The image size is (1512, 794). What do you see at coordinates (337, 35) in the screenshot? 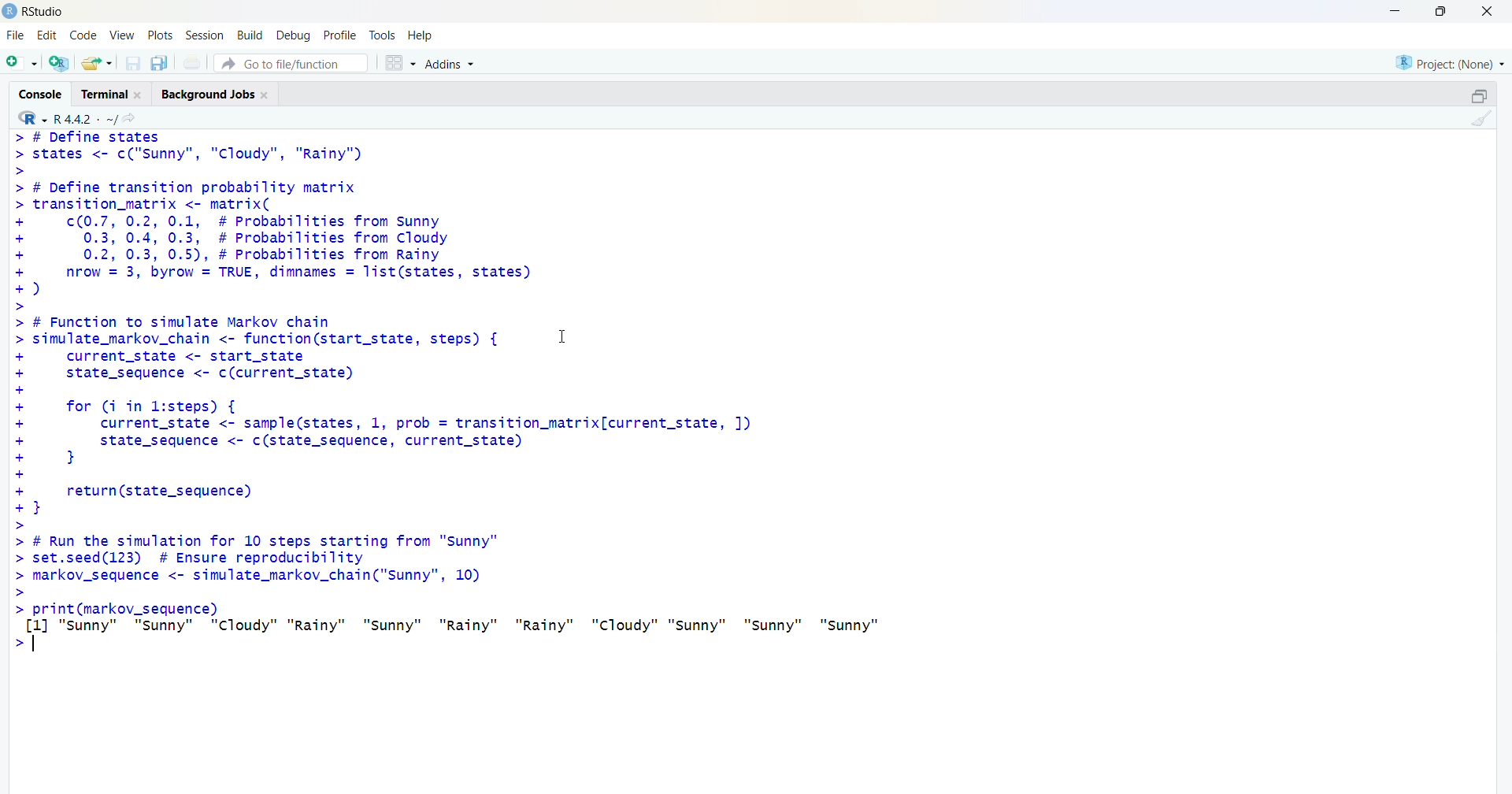
I see `profile` at bounding box center [337, 35].